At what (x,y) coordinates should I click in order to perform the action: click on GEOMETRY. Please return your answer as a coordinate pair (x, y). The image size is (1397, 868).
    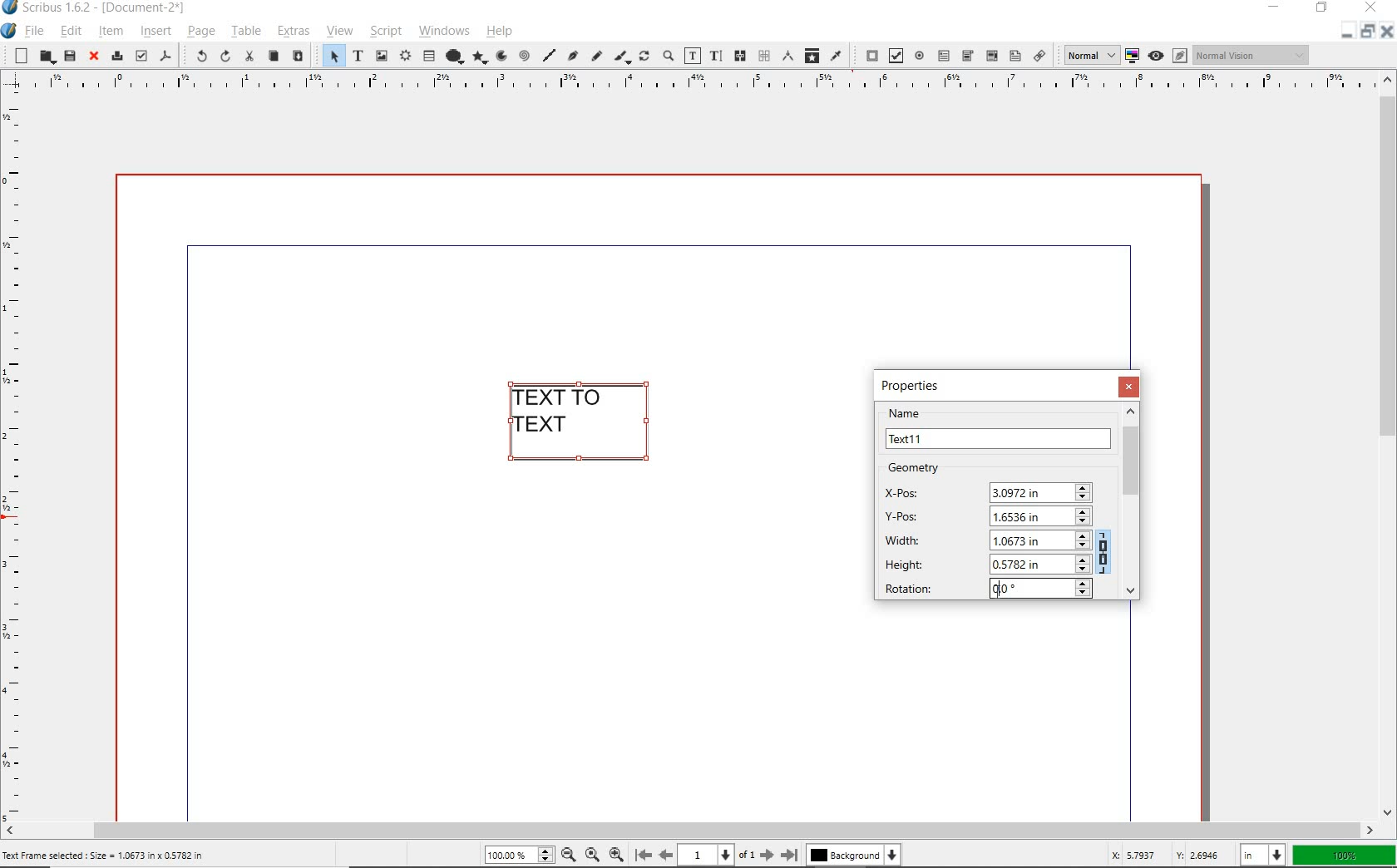
    Looking at the image, I should click on (927, 468).